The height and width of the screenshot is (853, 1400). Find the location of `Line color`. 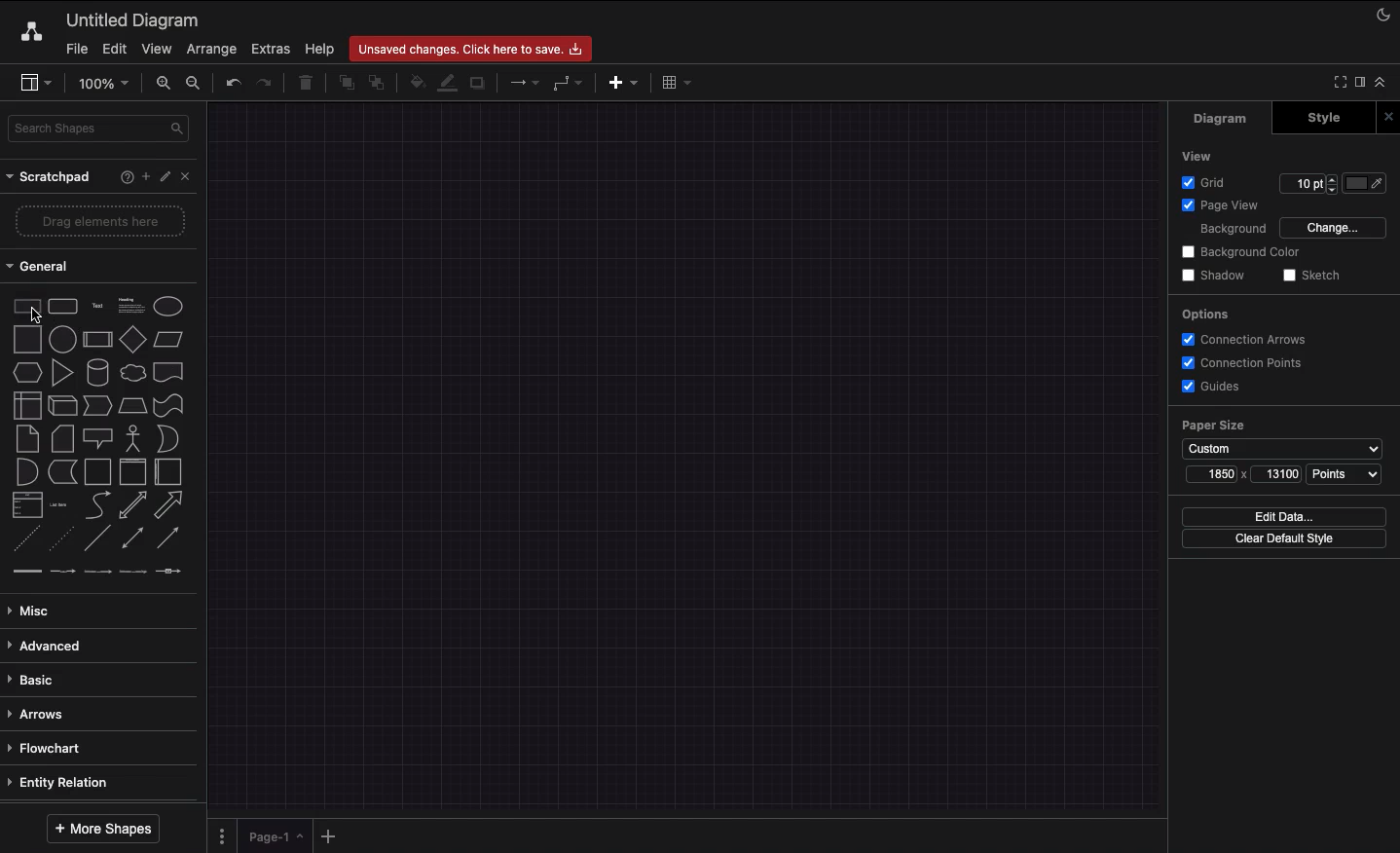

Line color is located at coordinates (447, 85).